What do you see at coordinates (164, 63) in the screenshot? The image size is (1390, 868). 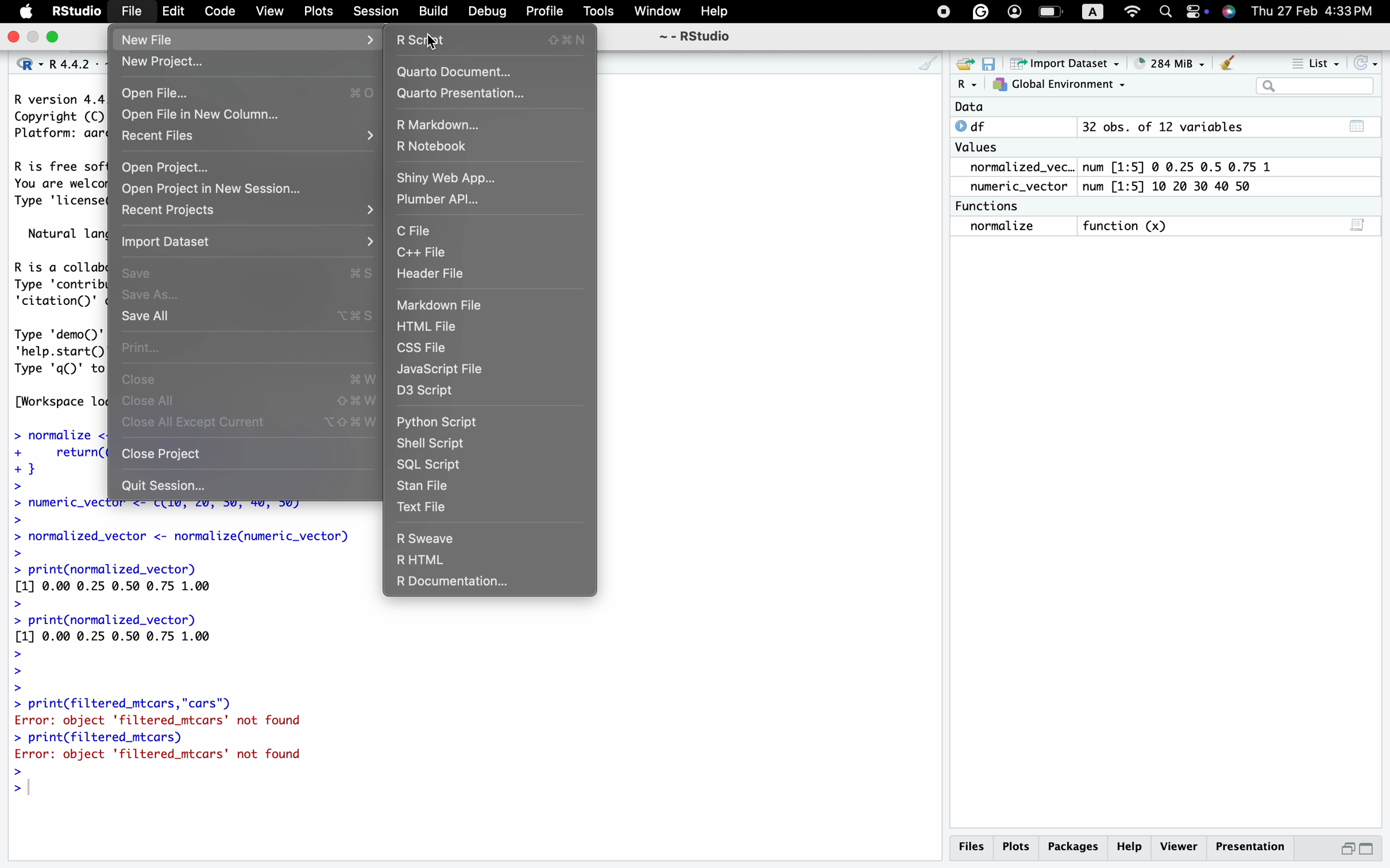 I see `NEW Project... ` at bounding box center [164, 63].